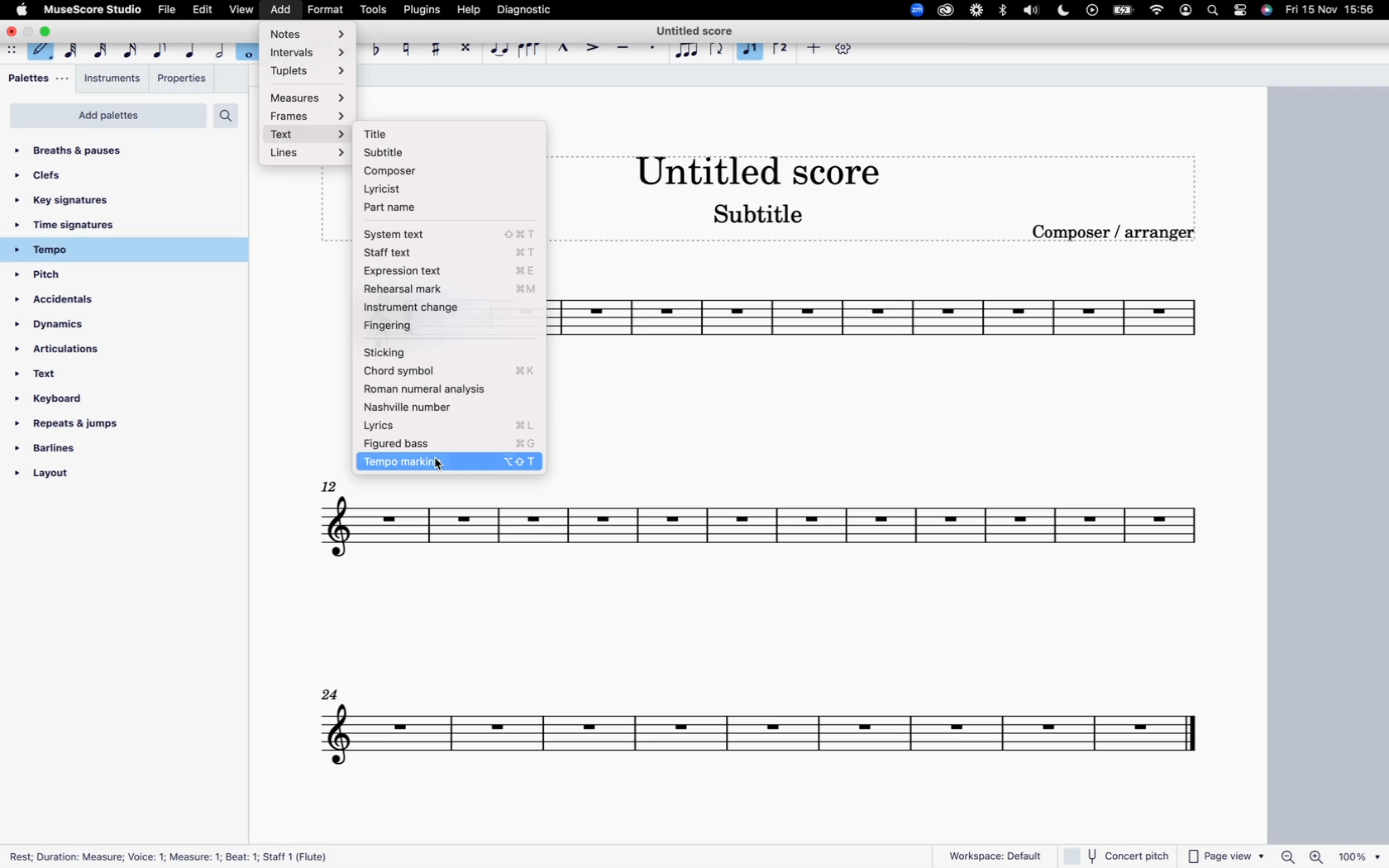 The width and height of the screenshot is (1389, 868). I want to click on score, so click(765, 537).